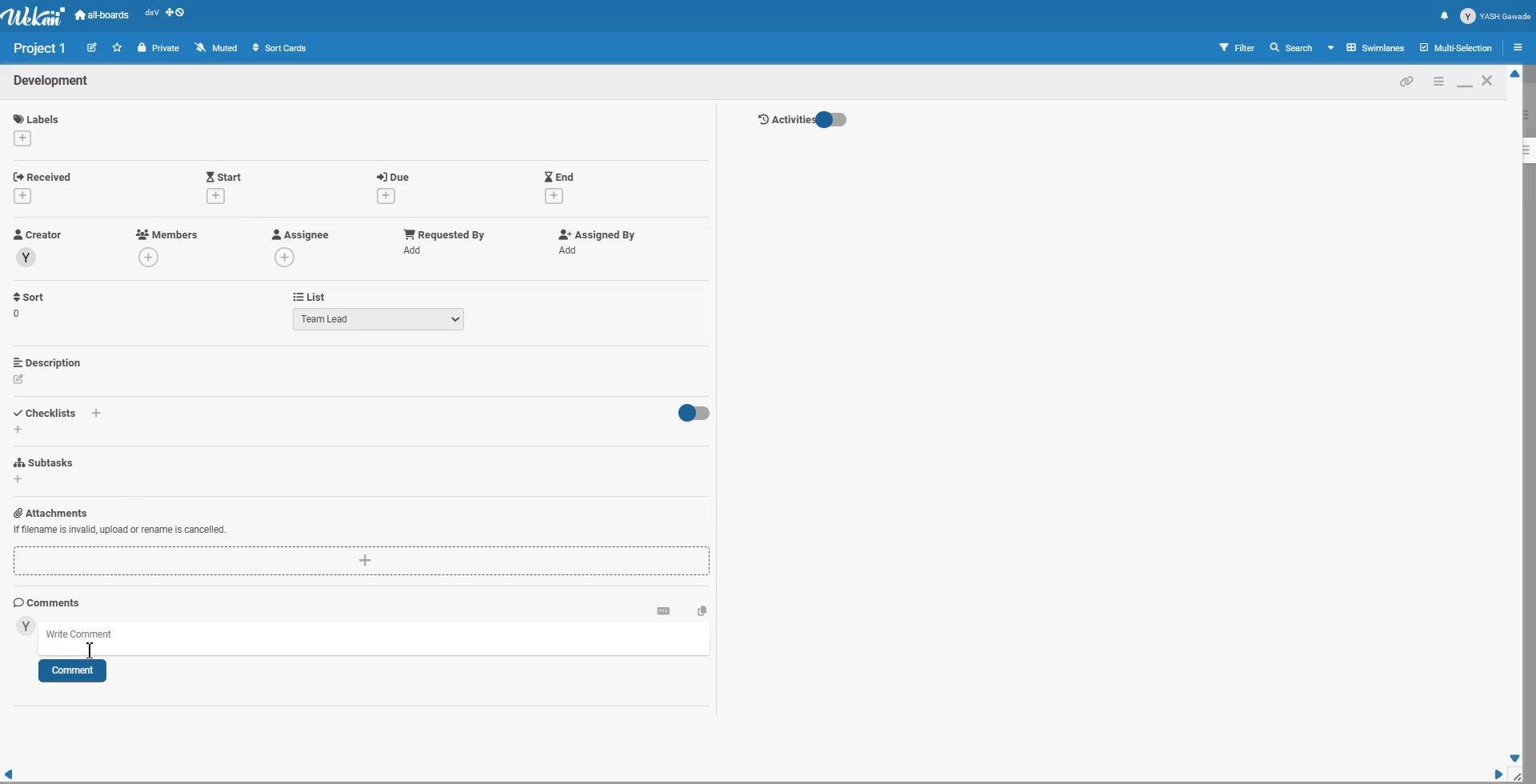  What do you see at coordinates (224, 175) in the screenshot?
I see `Add Start` at bounding box center [224, 175].